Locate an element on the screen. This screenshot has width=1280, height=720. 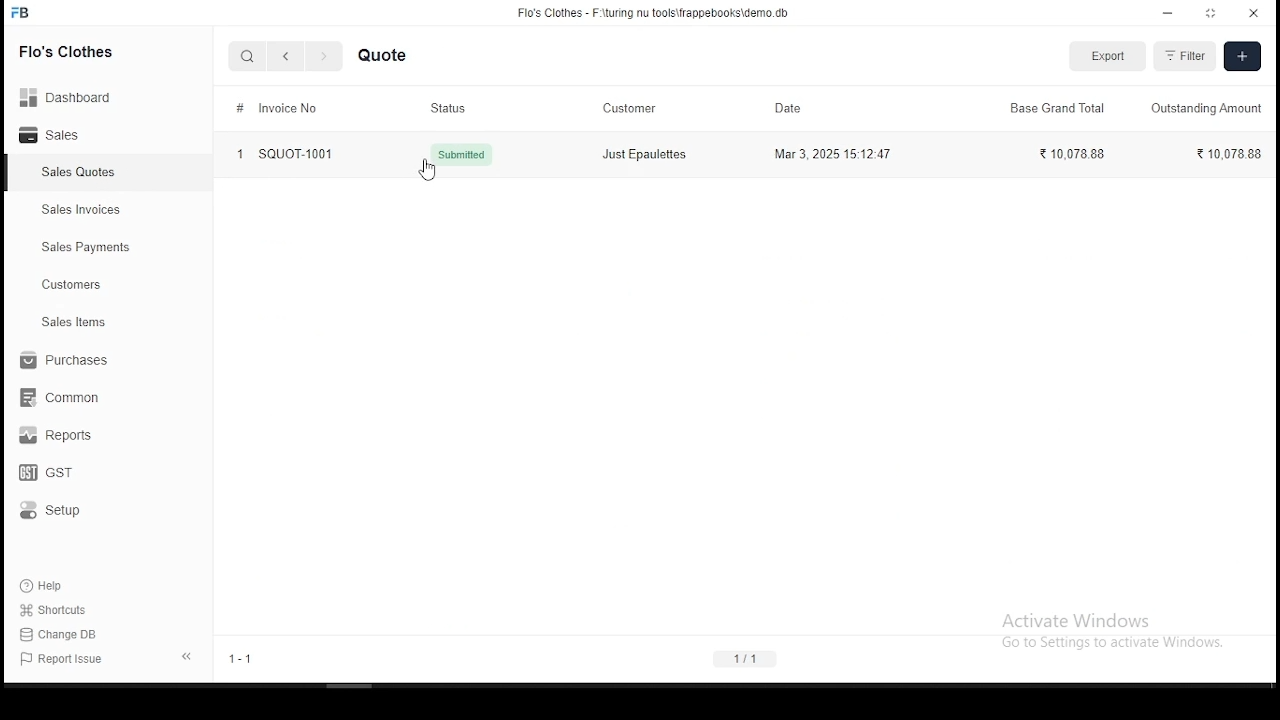
sales invoices is located at coordinates (86, 211).